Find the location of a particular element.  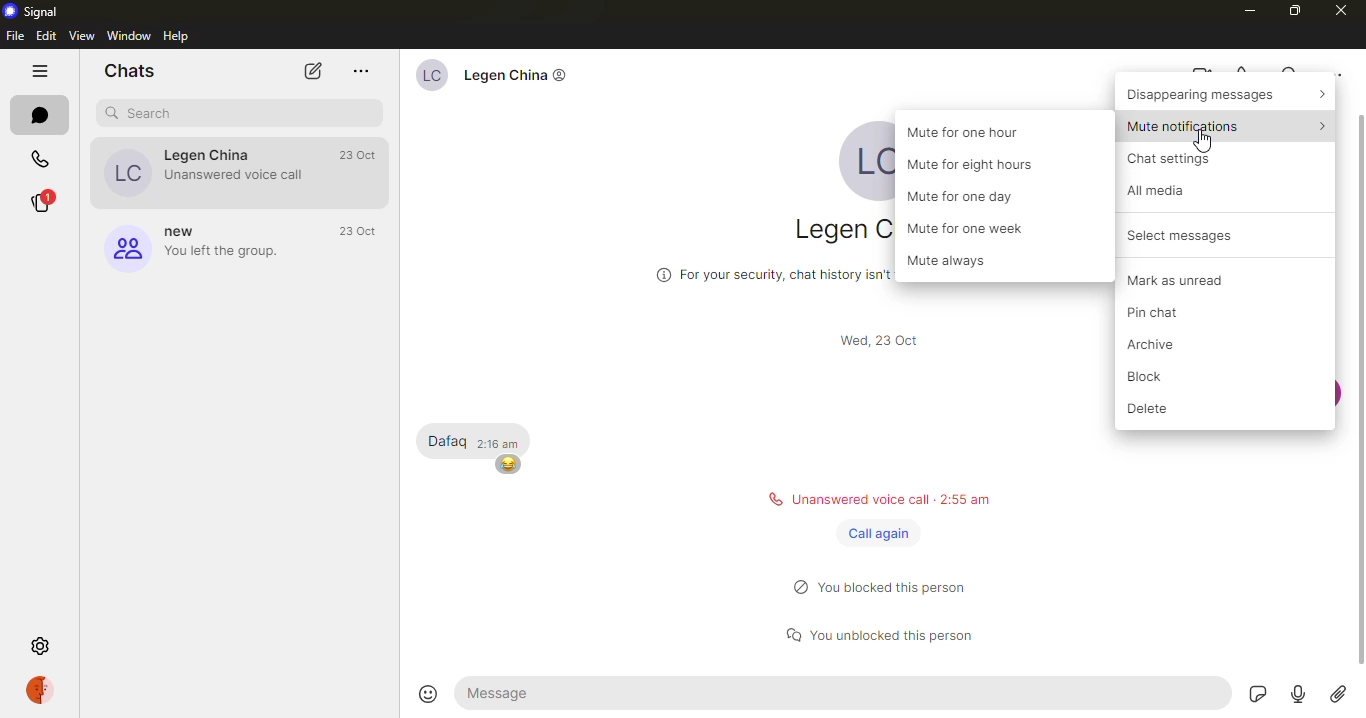

call again is located at coordinates (877, 533).